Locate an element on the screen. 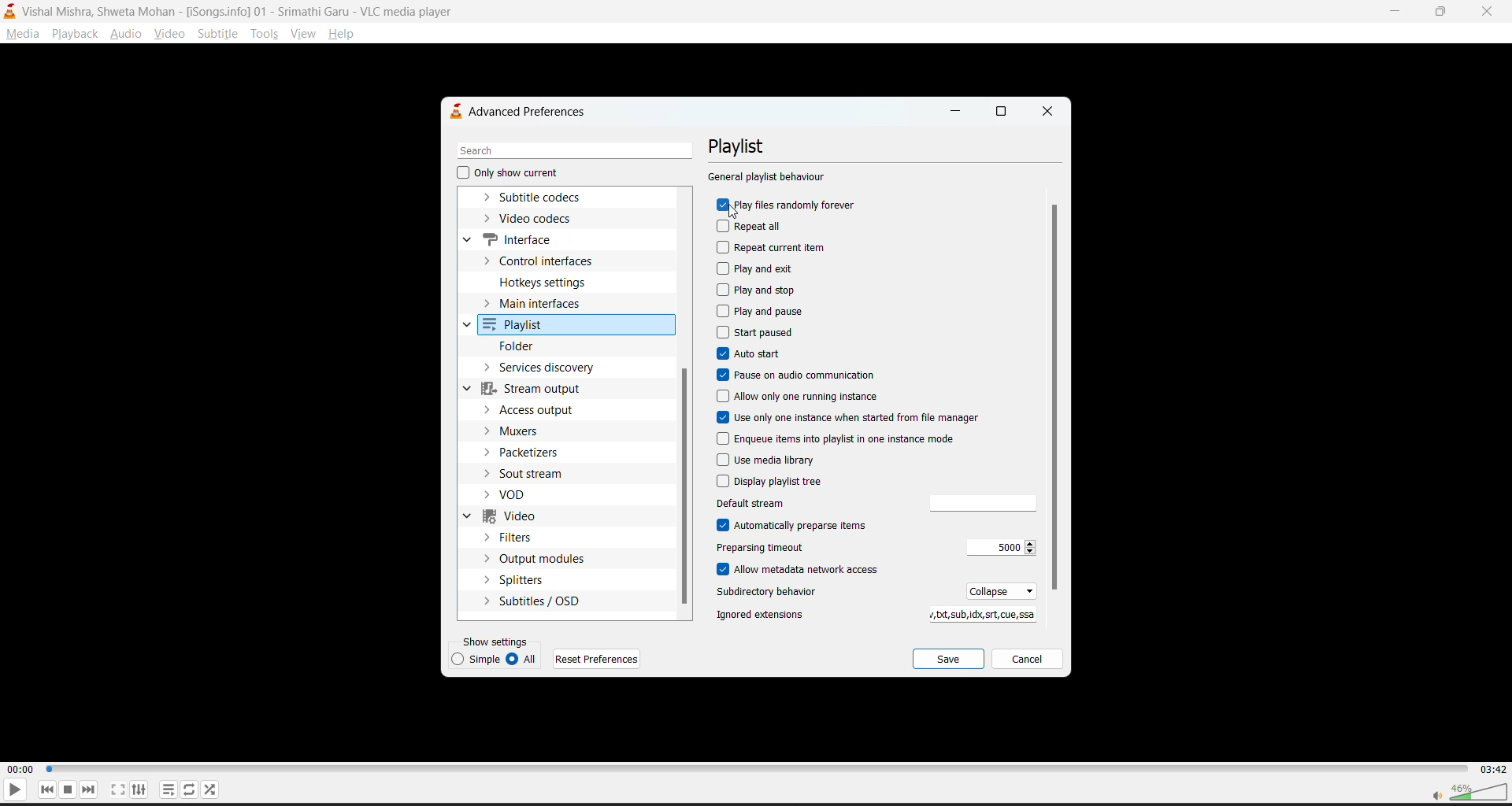 The height and width of the screenshot is (806, 1512). play is located at coordinates (13, 792).